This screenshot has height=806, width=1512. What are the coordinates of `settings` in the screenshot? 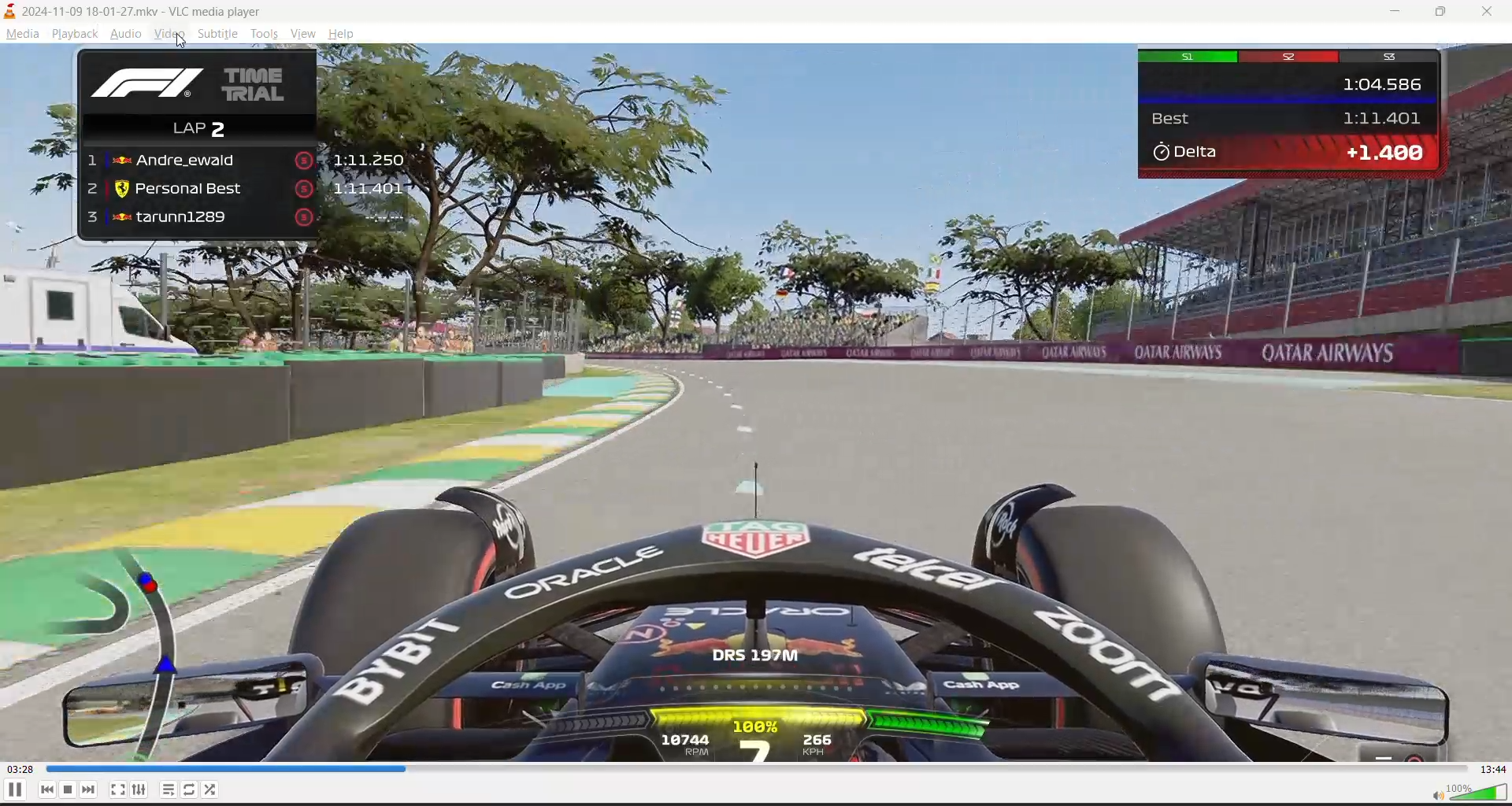 It's located at (138, 789).